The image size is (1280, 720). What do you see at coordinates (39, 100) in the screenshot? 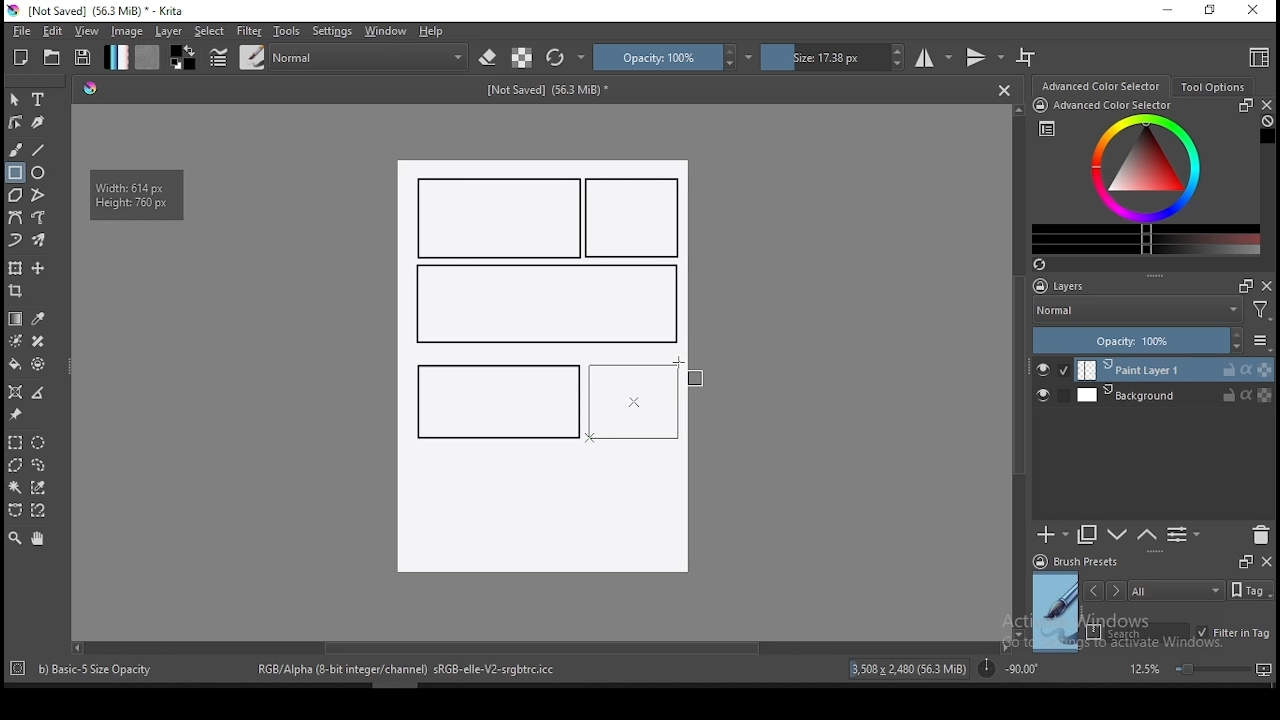
I see `text tool` at bounding box center [39, 100].